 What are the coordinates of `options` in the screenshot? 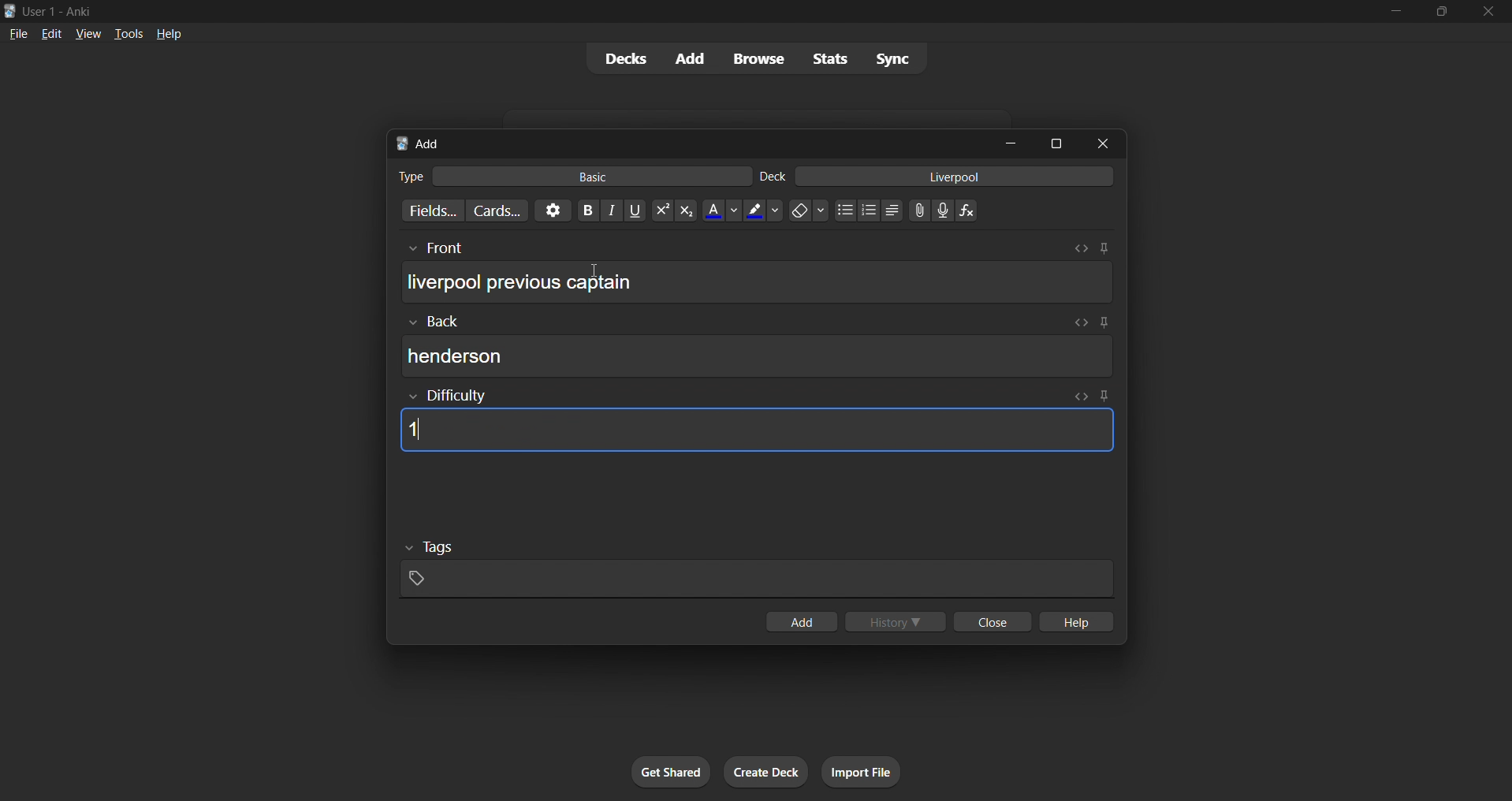 It's located at (550, 210).